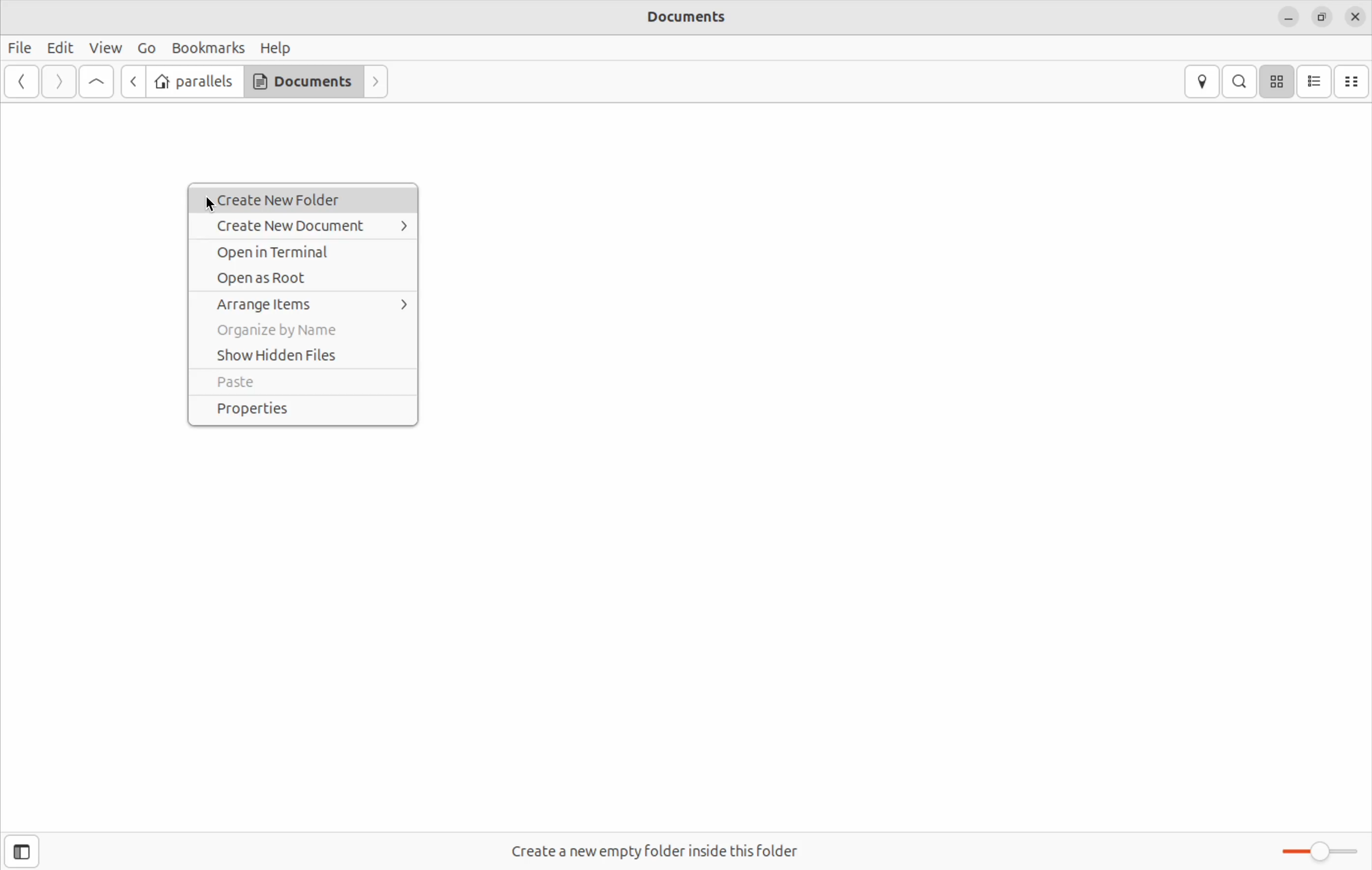  I want to click on Properties, so click(307, 411).